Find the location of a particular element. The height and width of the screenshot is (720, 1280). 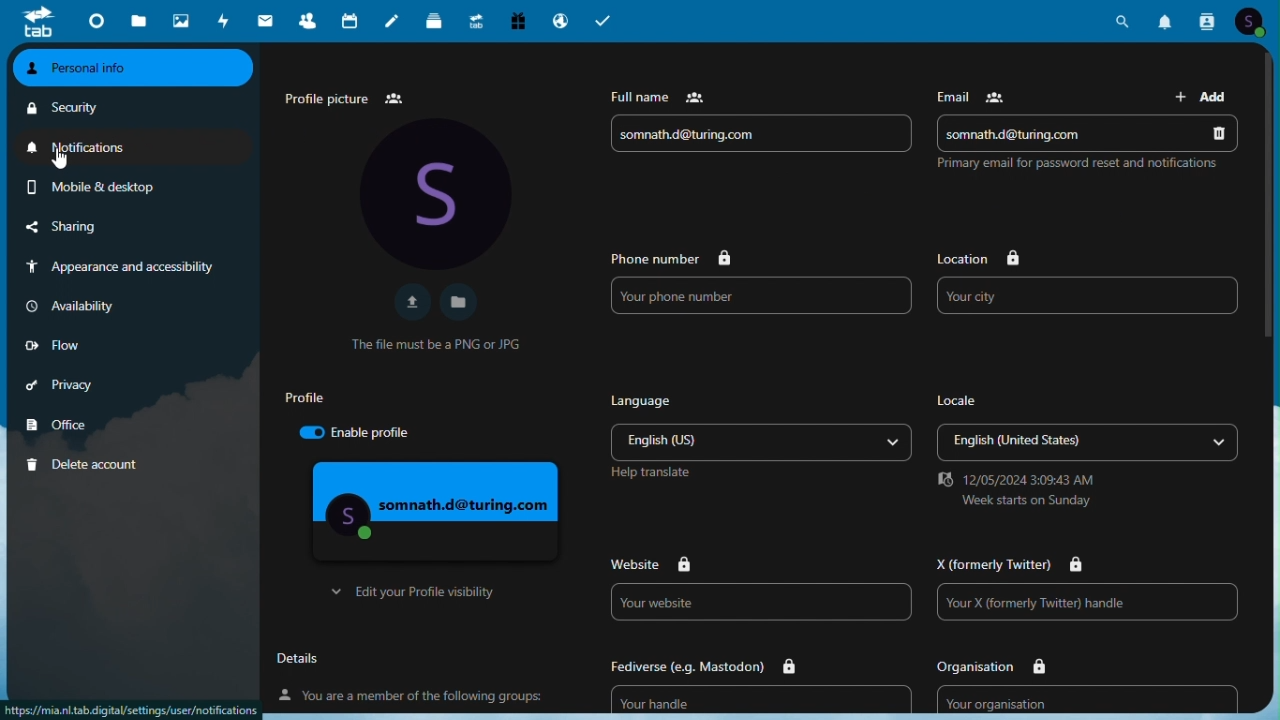

Privacy is located at coordinates (70, 381).